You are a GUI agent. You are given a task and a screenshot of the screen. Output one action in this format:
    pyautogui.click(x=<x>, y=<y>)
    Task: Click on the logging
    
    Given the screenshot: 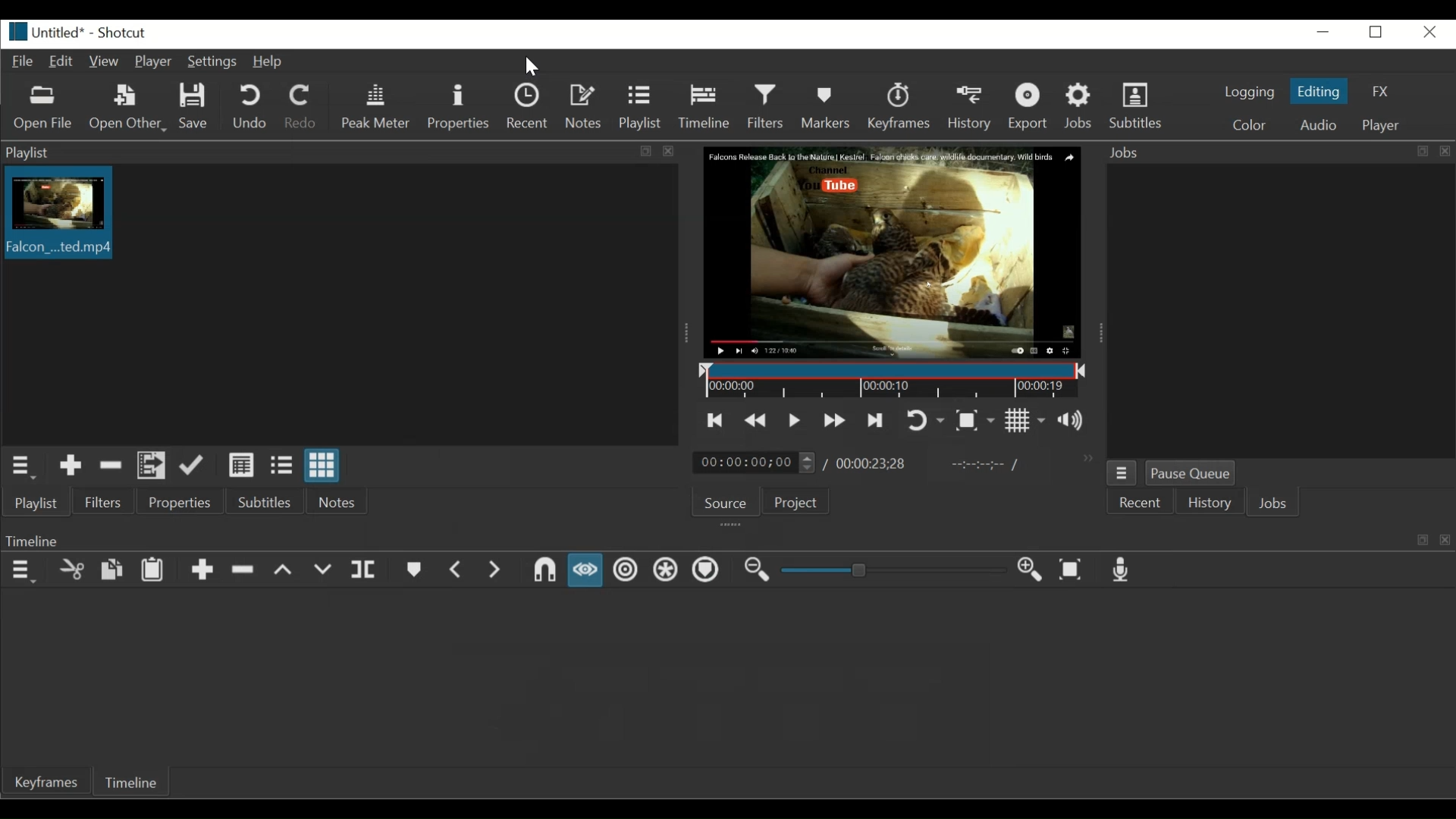 What is the action you would take?
    pyautogui.click(x=1253, y=93)
    